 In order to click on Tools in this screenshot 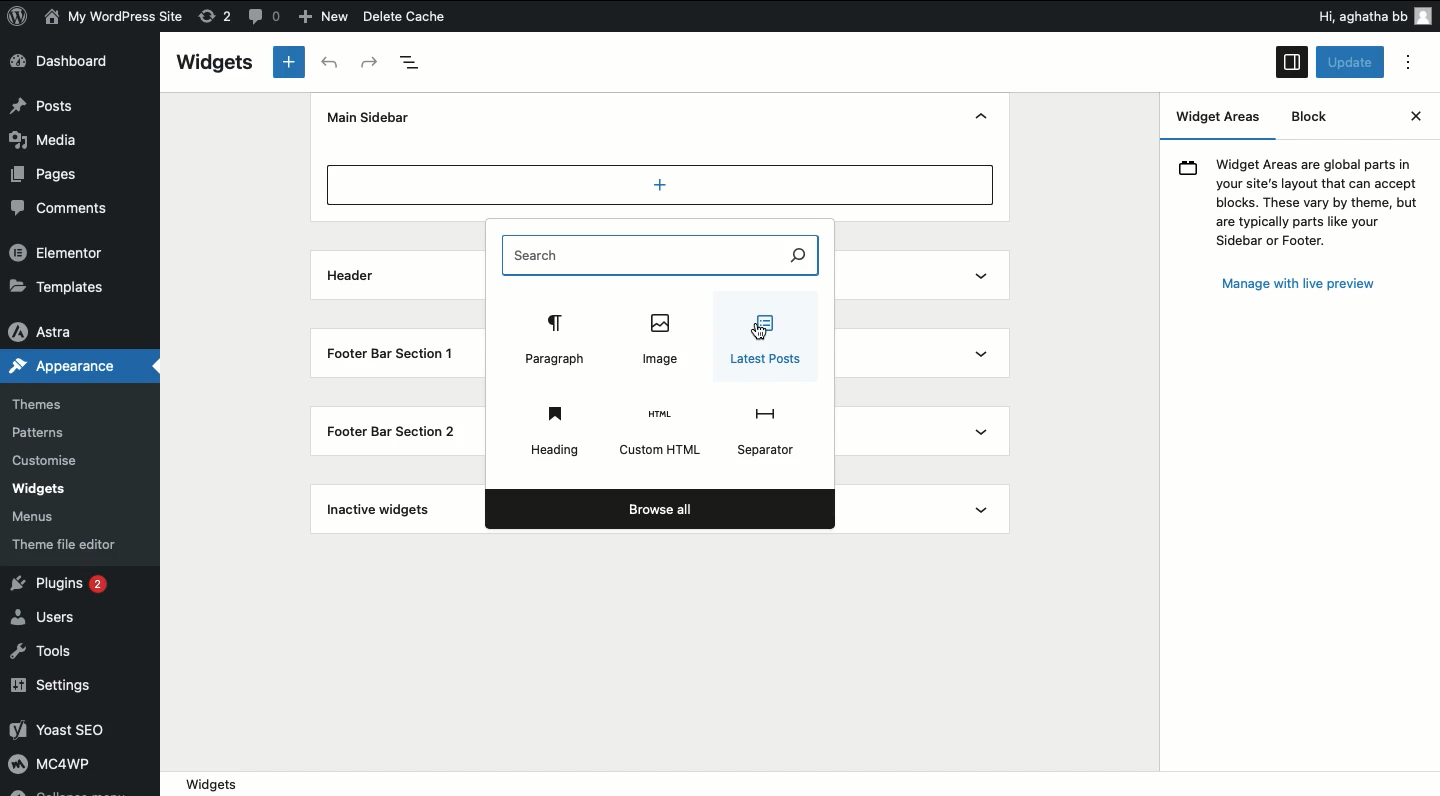, I will do `click(46, 652)`.